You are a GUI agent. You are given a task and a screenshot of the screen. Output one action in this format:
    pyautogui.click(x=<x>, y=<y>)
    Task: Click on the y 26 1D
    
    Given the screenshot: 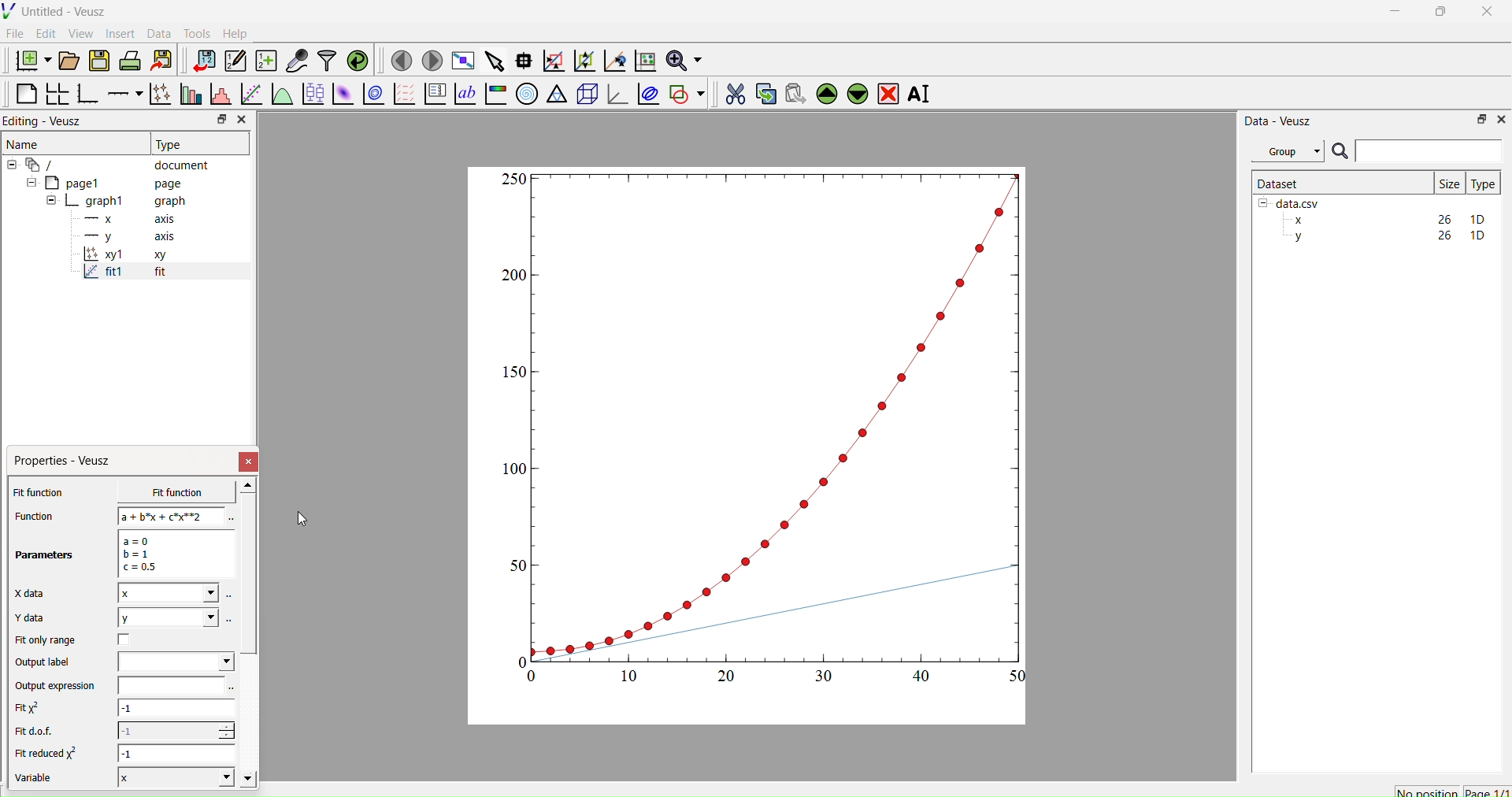 What is the action you would take?
    pyautogui.click(x=1385, y=235)
    